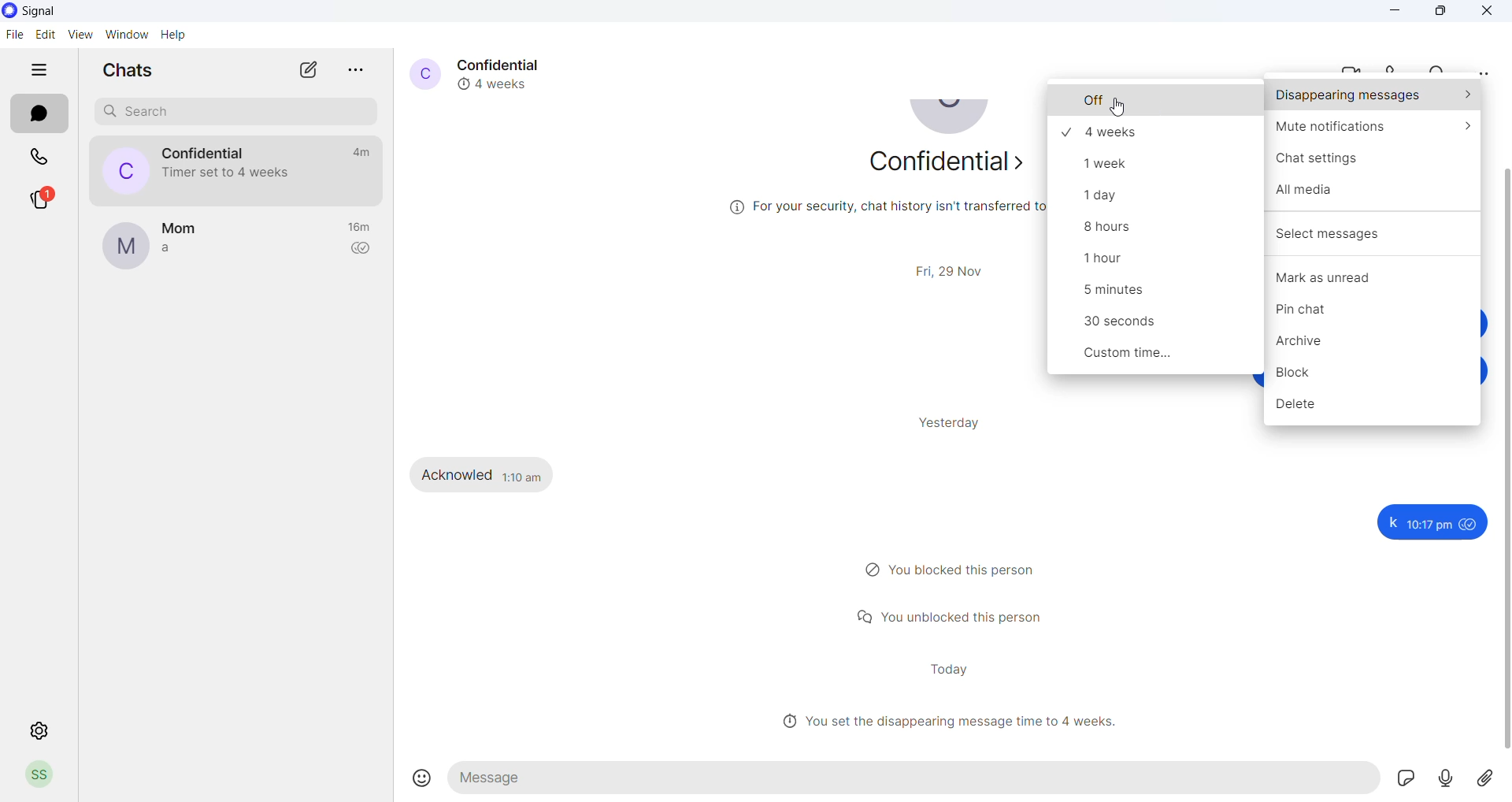 This screenshot has height=802, width=1512. I want to click on disable disappearing messages, so click(1157, 102).